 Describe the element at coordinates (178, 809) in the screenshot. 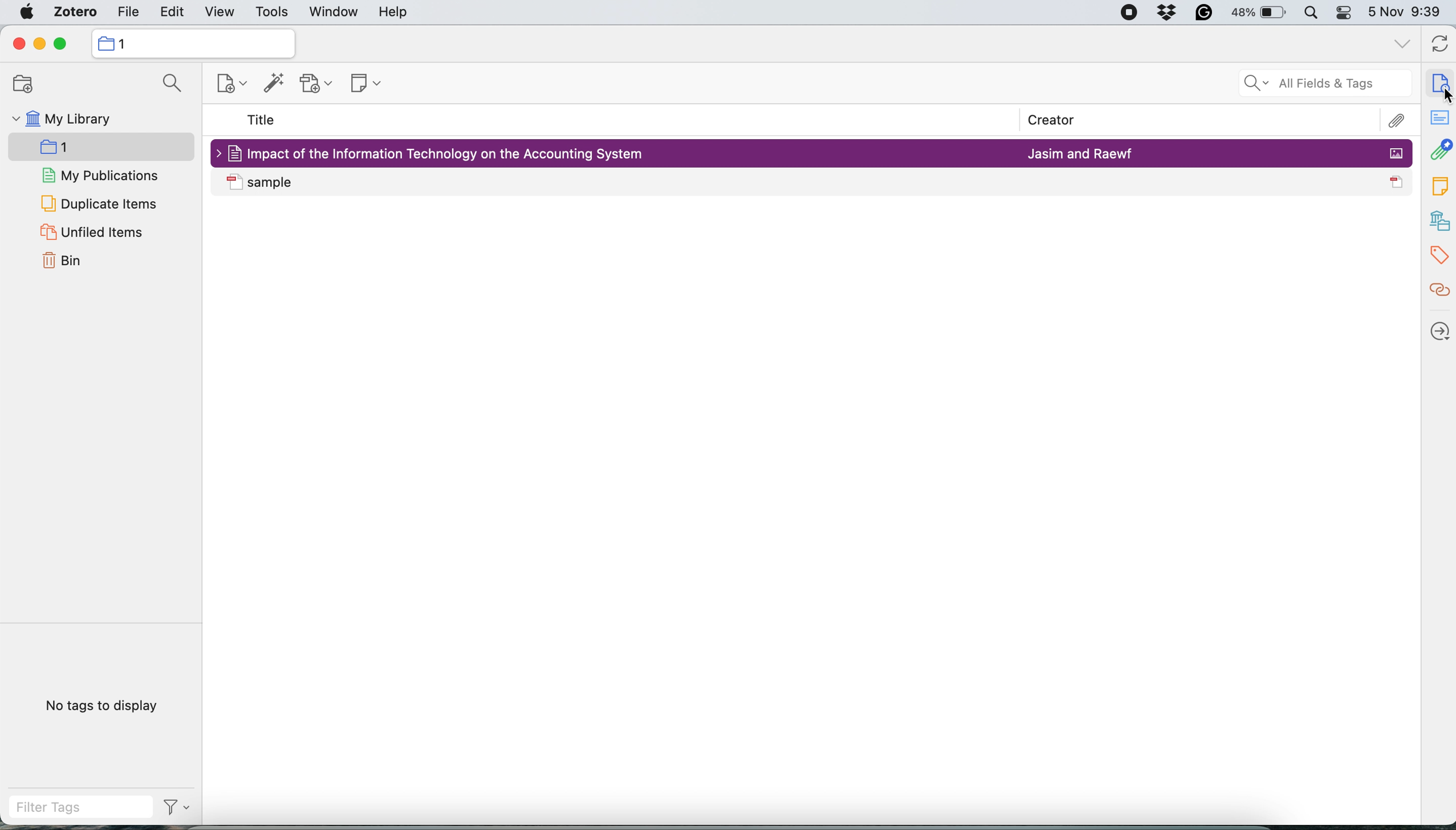

I see `select filter type` at that location.